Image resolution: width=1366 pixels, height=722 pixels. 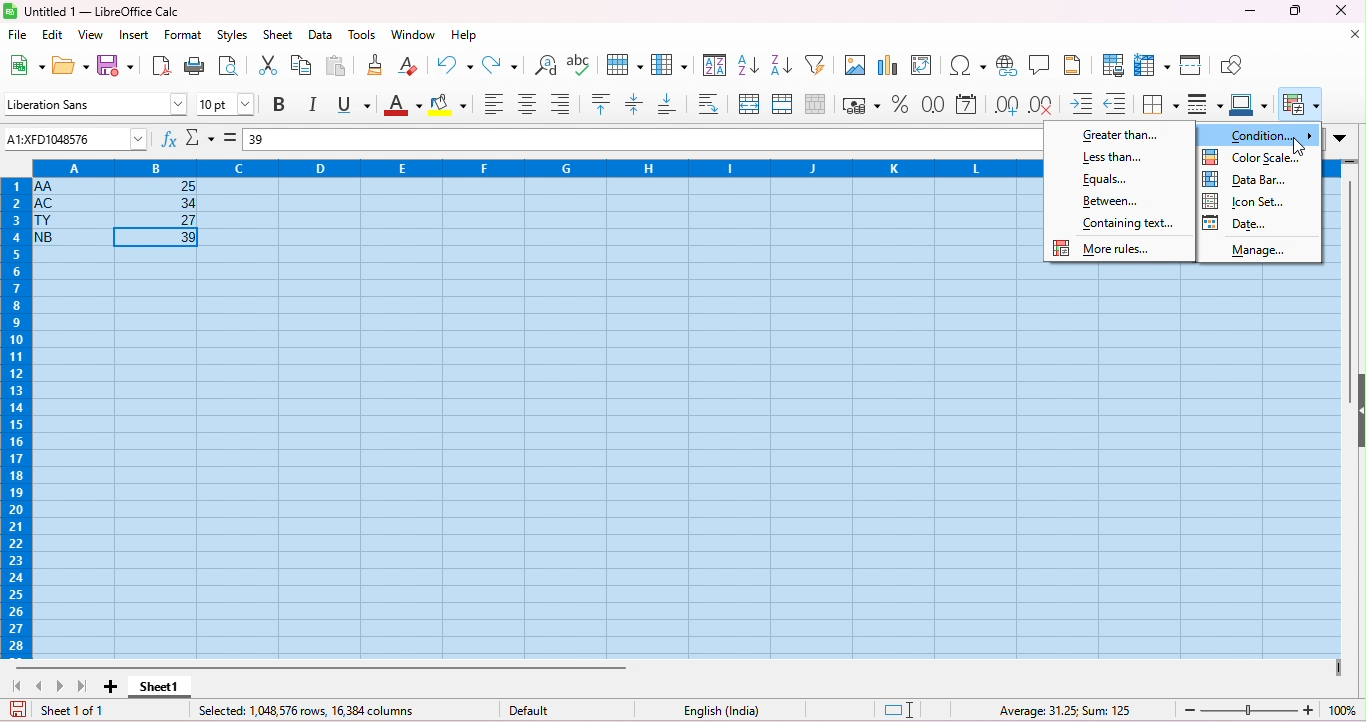 What do you see at coordinates (581, 65) in the screenshot?
I see `spelling` at bounding box center [581, 65].